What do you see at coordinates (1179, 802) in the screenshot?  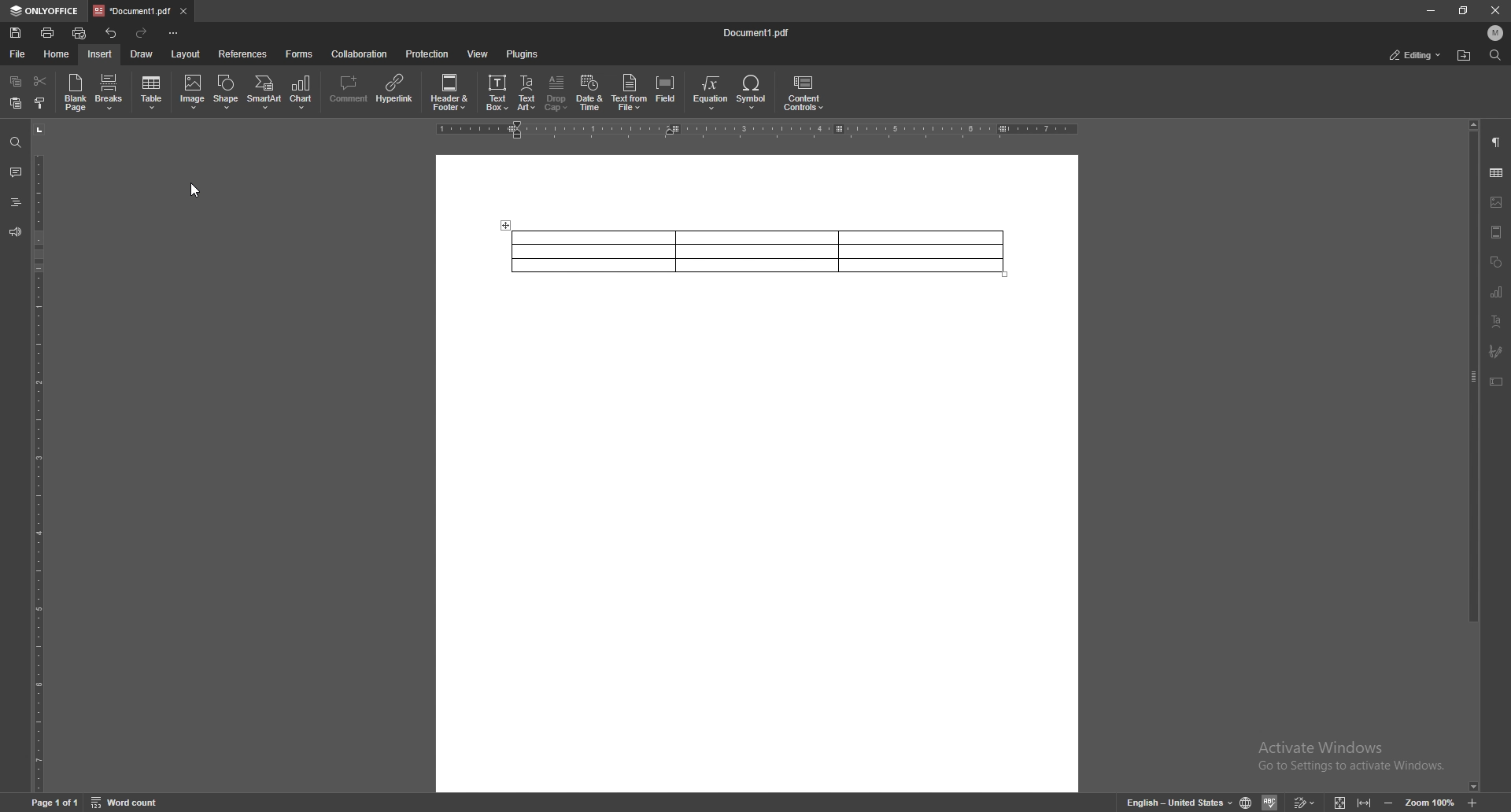 I see `change text language` at bounding box center [1179, 802].